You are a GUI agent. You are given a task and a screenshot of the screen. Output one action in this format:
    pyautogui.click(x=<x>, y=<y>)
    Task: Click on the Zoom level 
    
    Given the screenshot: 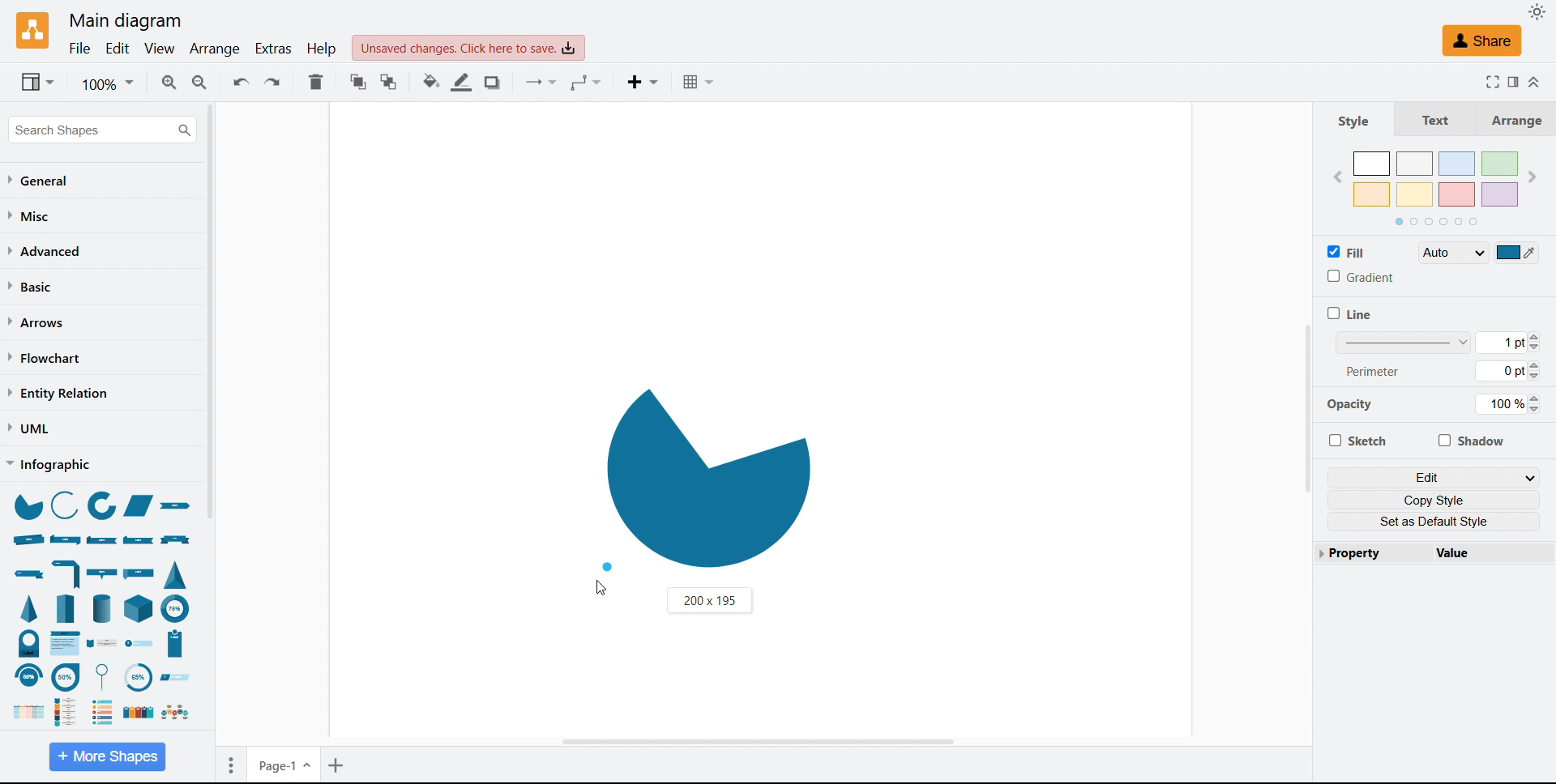 What is the action you would take?
    pyautogui.click(x=107, y=83)
    